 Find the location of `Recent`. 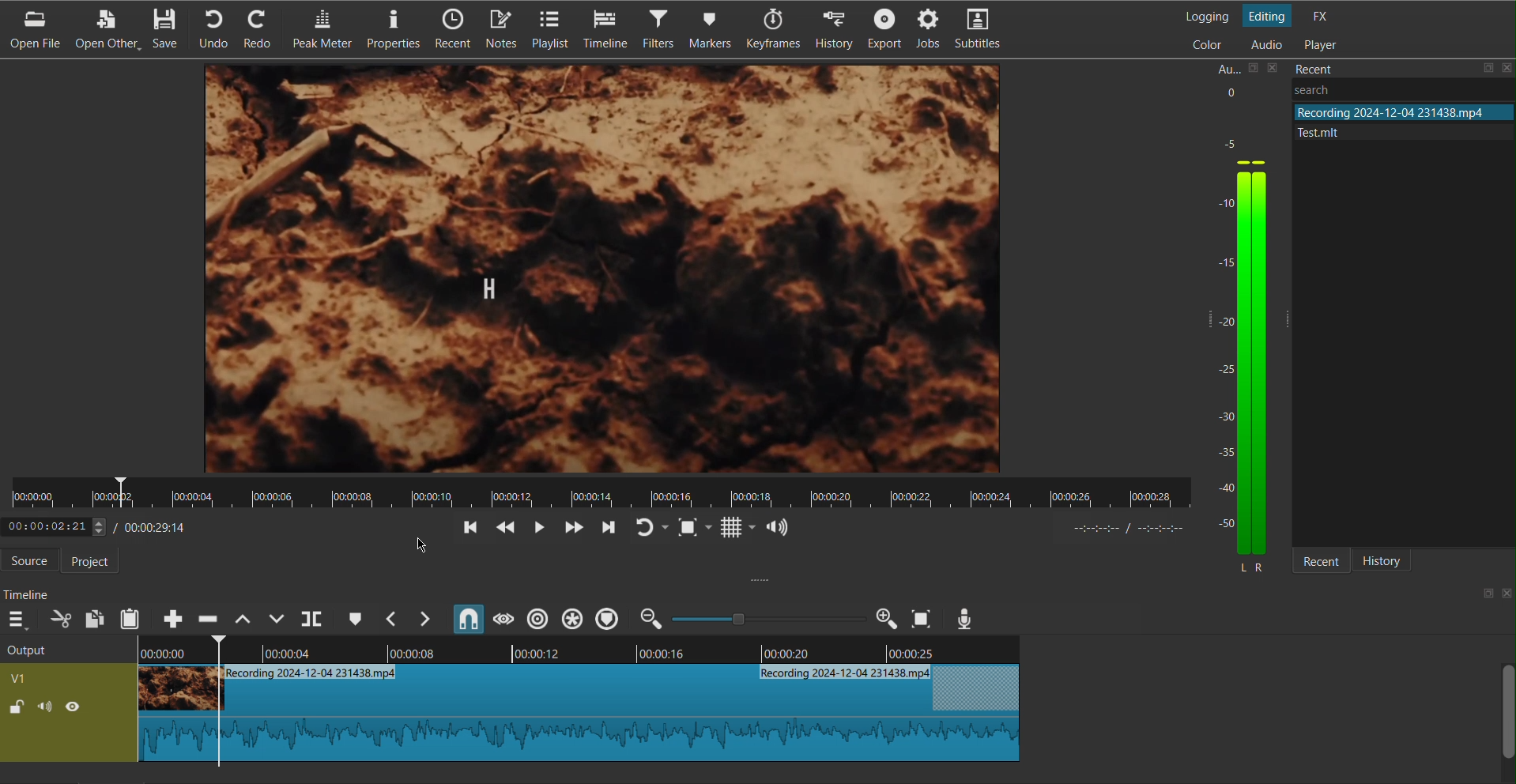

Recent is located at coordinates (451, 30).